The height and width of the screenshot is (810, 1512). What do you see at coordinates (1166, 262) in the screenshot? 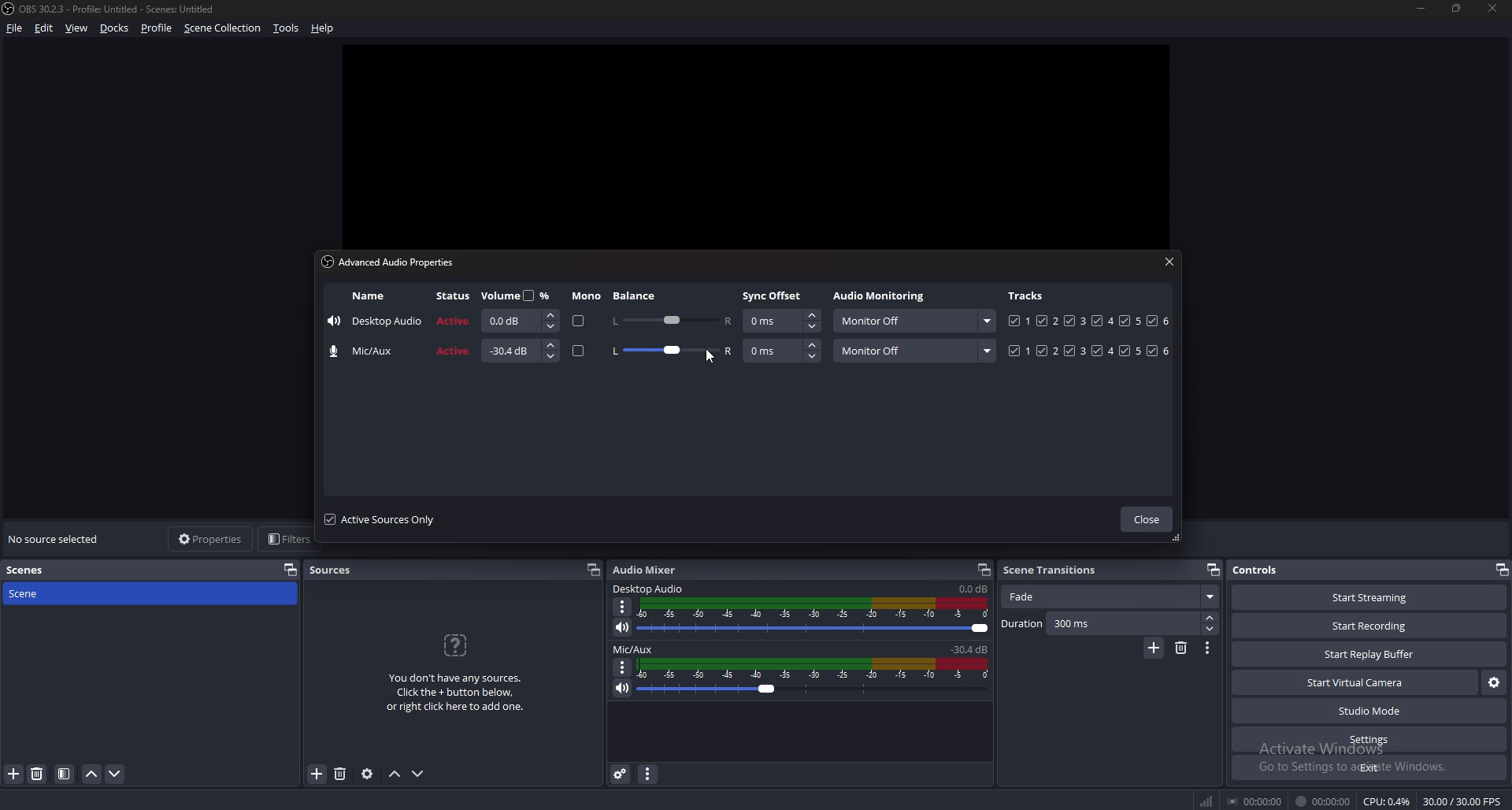
I see `close` at bounding box center [1166, 262].